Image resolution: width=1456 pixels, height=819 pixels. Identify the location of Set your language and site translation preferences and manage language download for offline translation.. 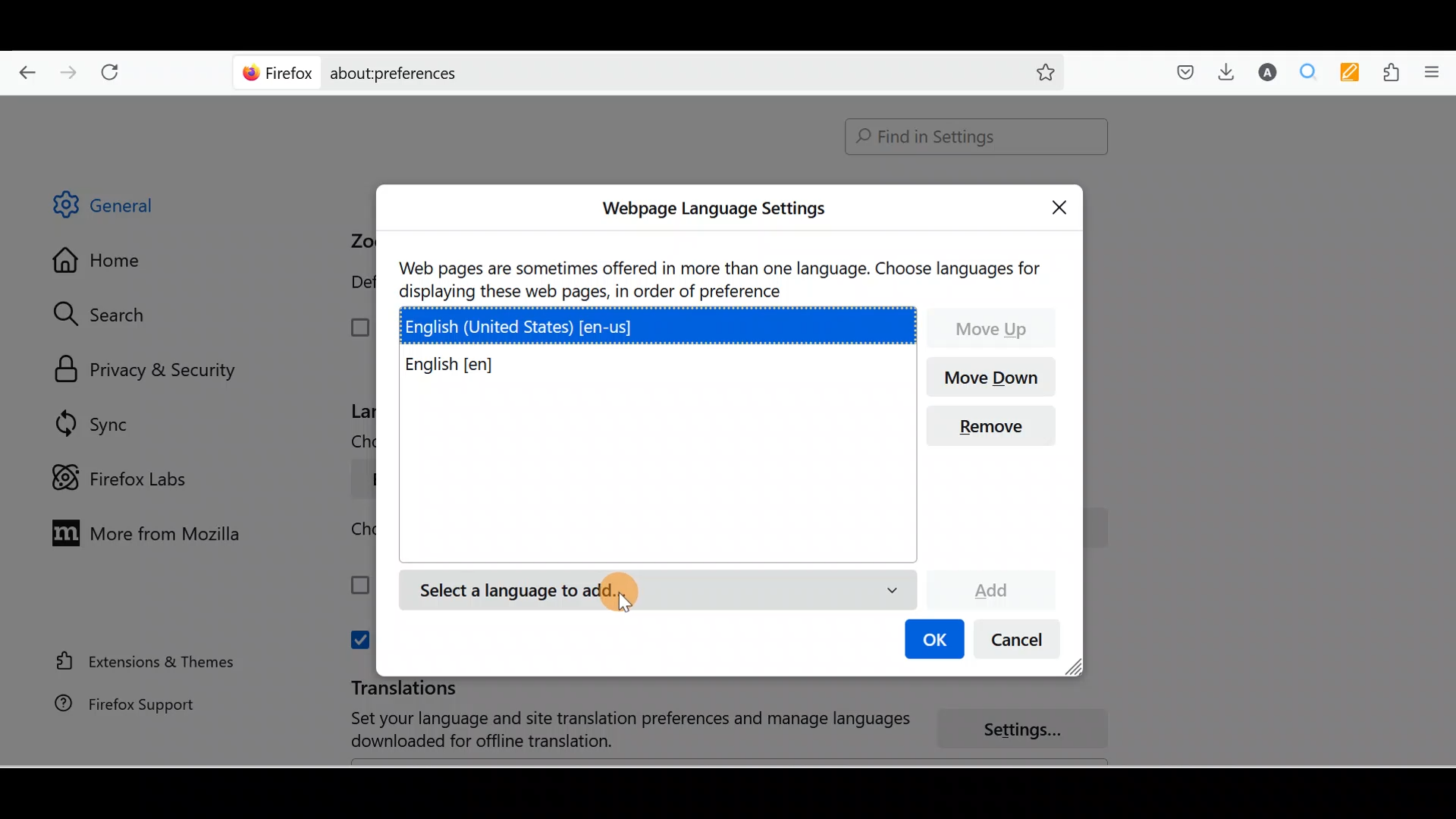
(616, 730).